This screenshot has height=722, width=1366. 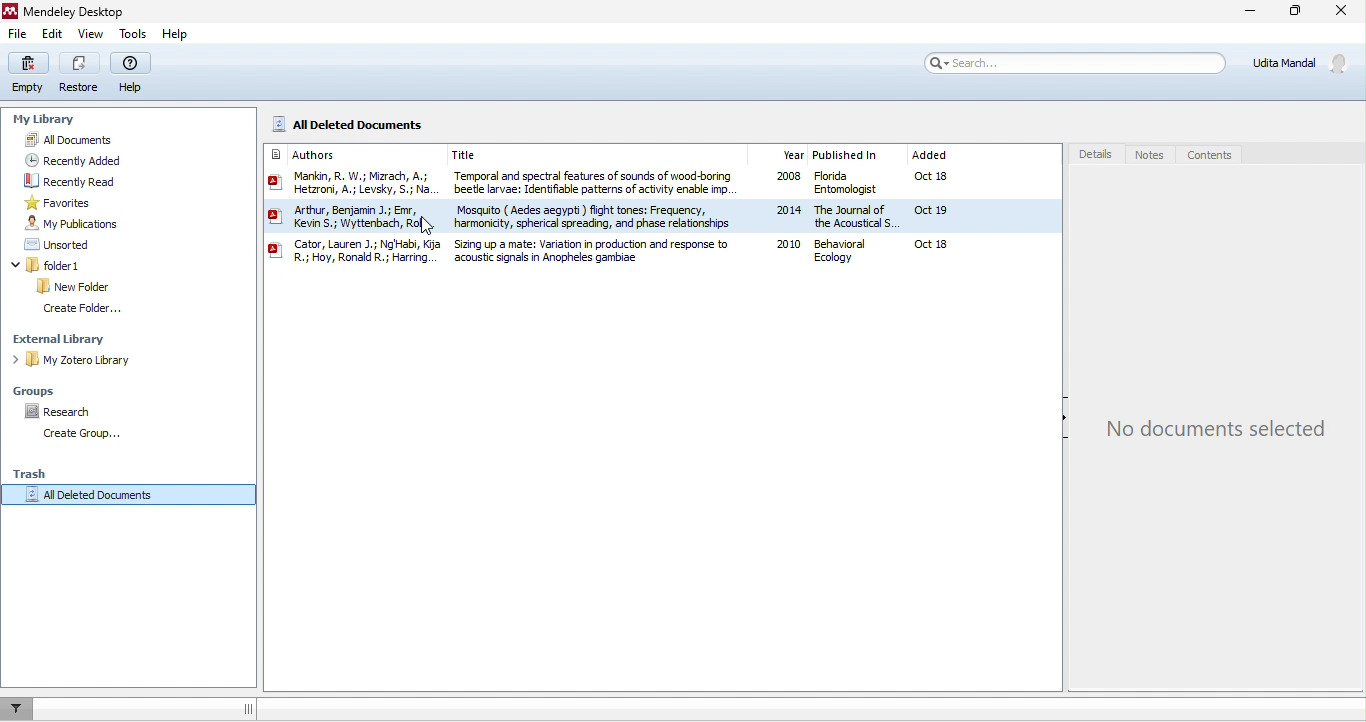 I want to click on close, so click(x=1343, y=10).